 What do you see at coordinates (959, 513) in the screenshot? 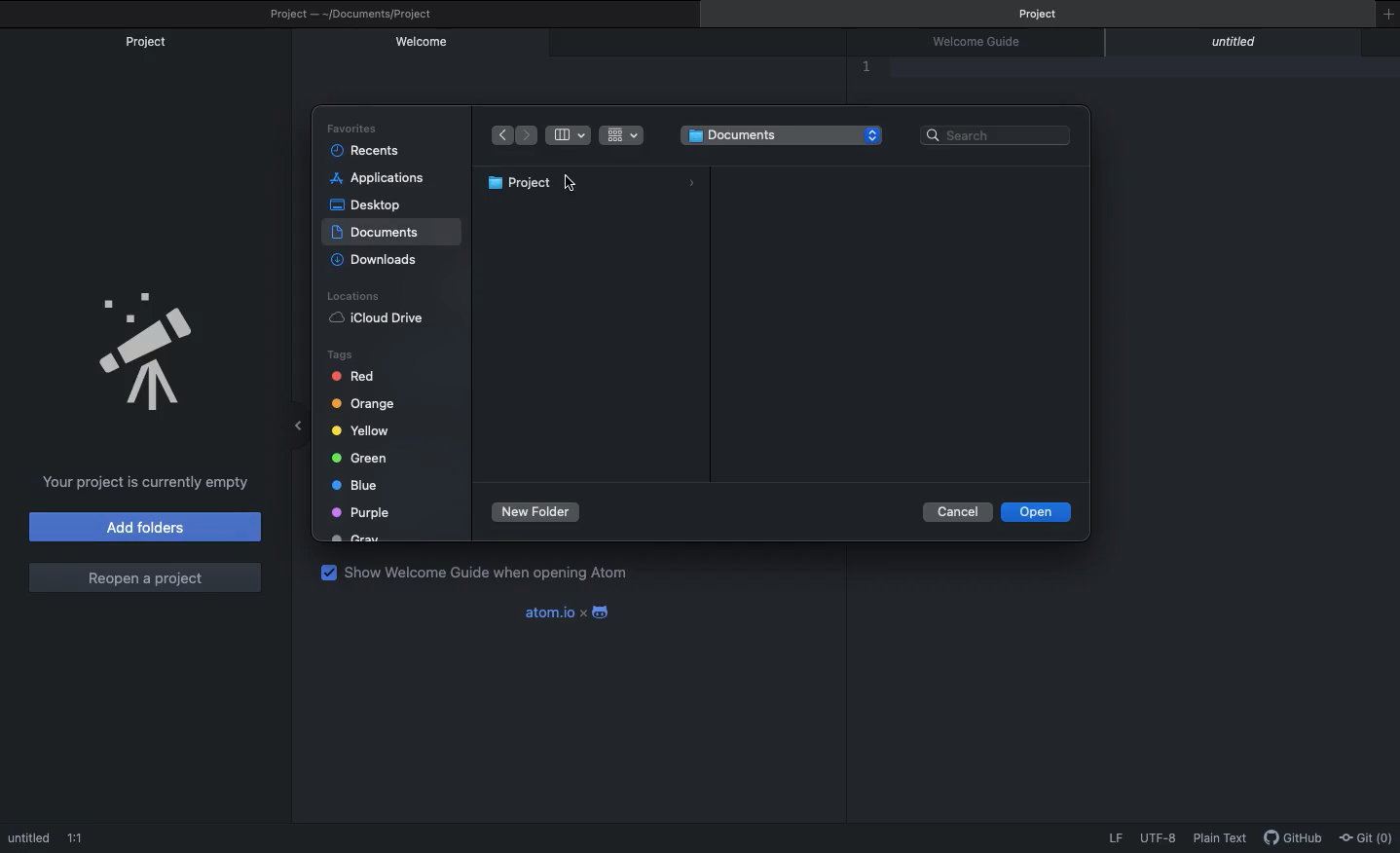
I see `Cancel ` at bounding box center [959, 513].